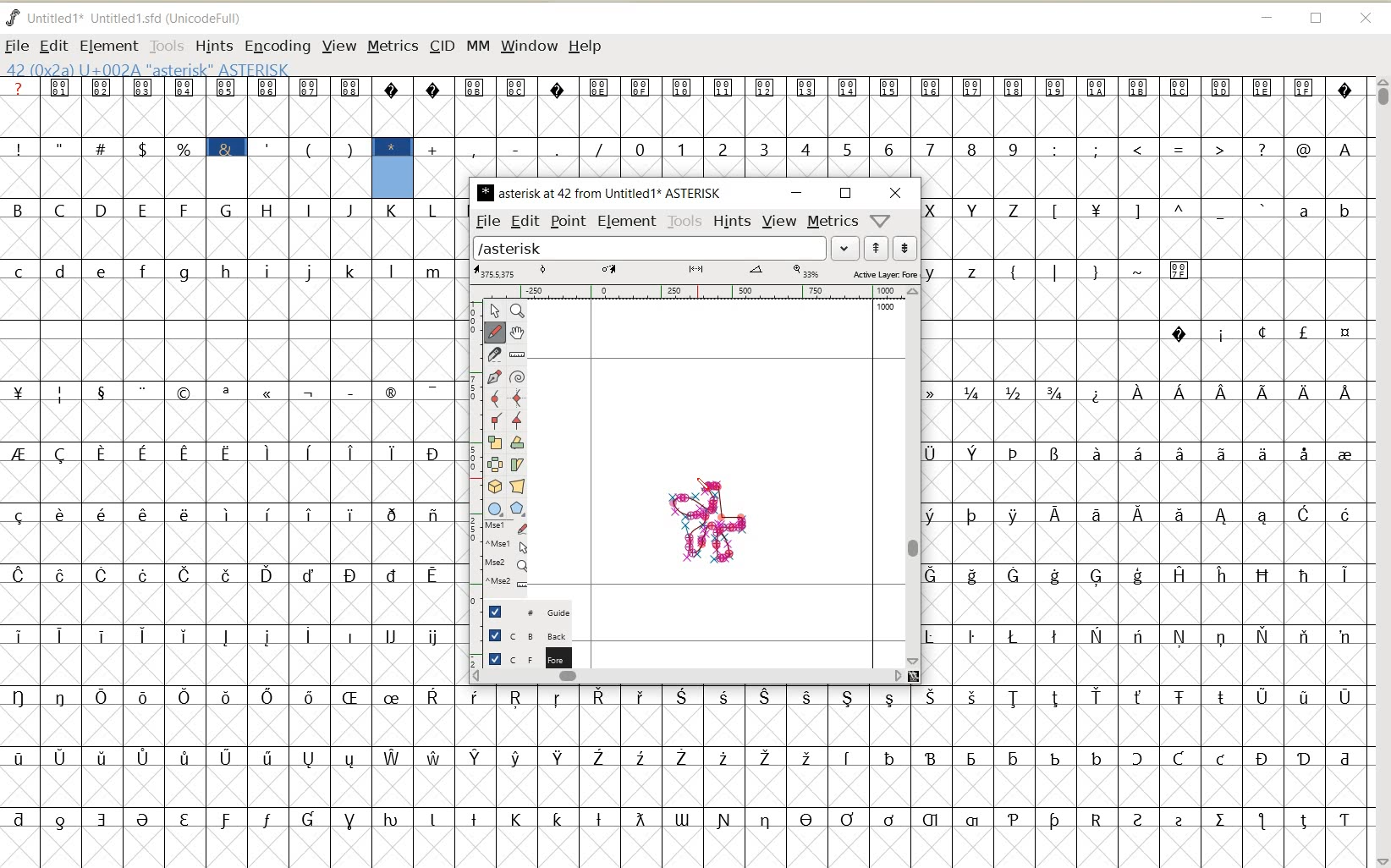 This screenshot has width=1391, height=868. What do you see at coordinates (518, 419) in the screenshot?
I see `add a tangent point` at bounding box center [518, 419].